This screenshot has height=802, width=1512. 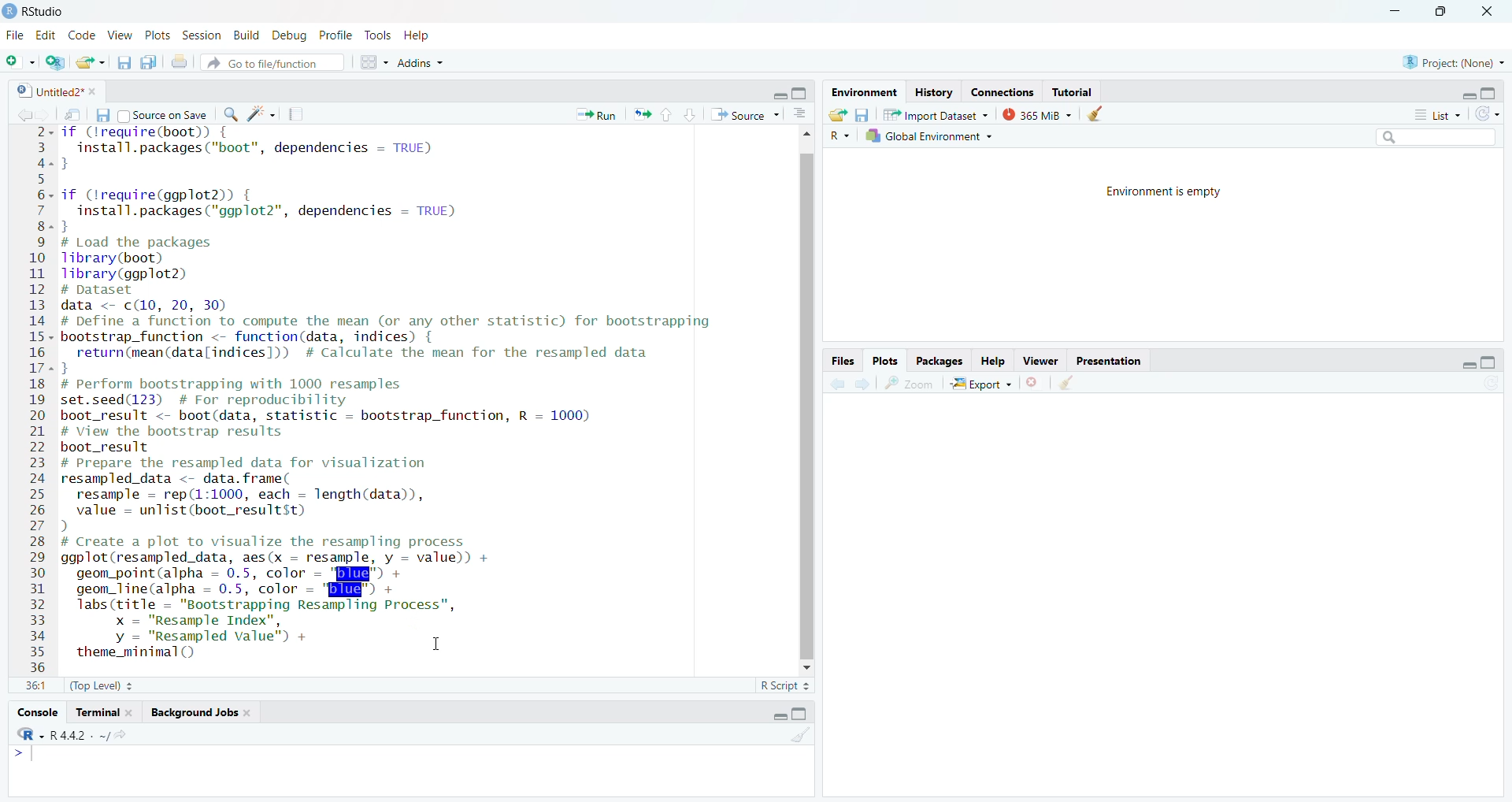 What do you see at coordinates (31, 759) in the screenshot?
I see `typing cursor` at bounding box center [31, 759].